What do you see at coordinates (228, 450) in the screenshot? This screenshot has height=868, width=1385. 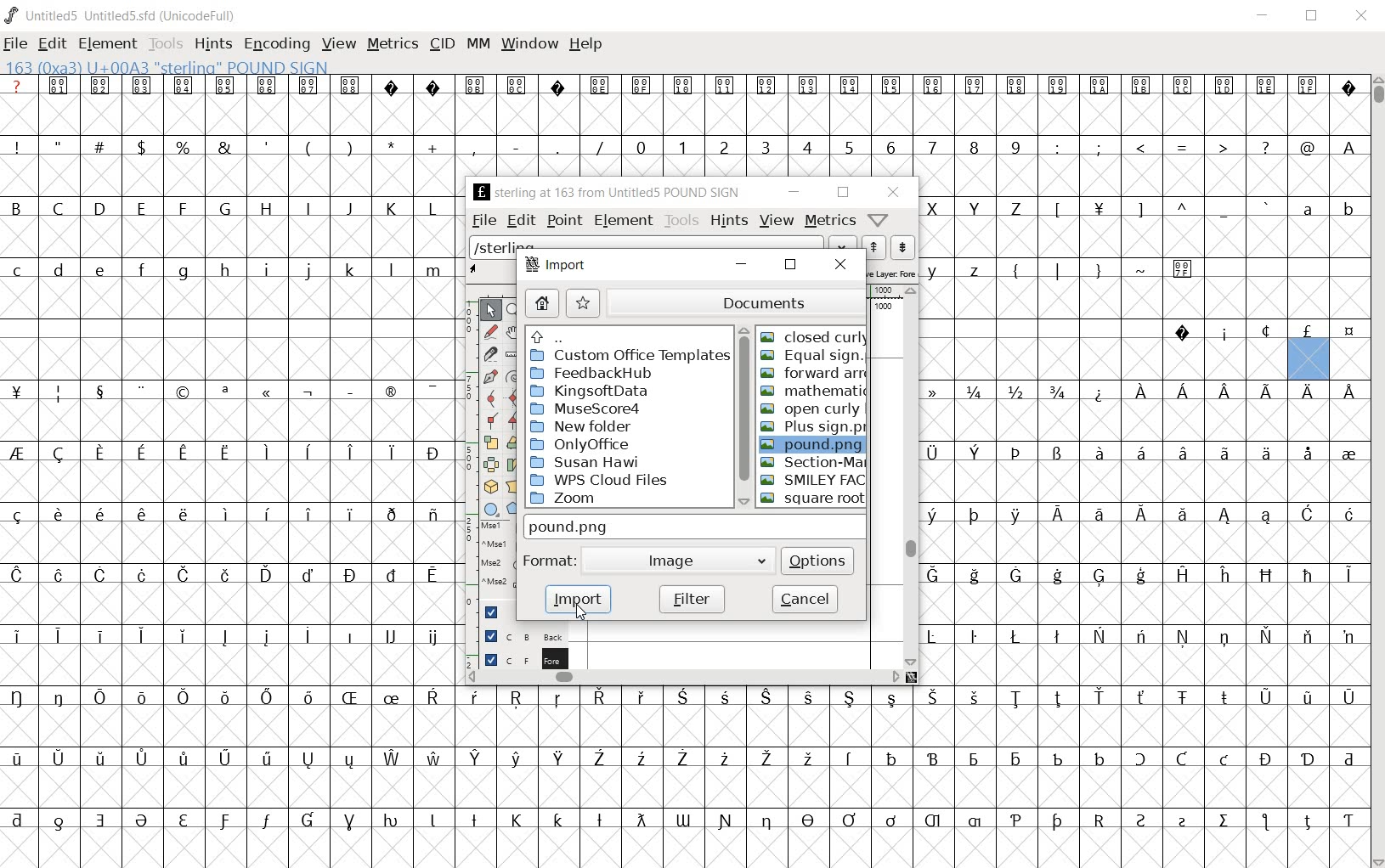 I see `Symbol` at bounding box center [228, 450].